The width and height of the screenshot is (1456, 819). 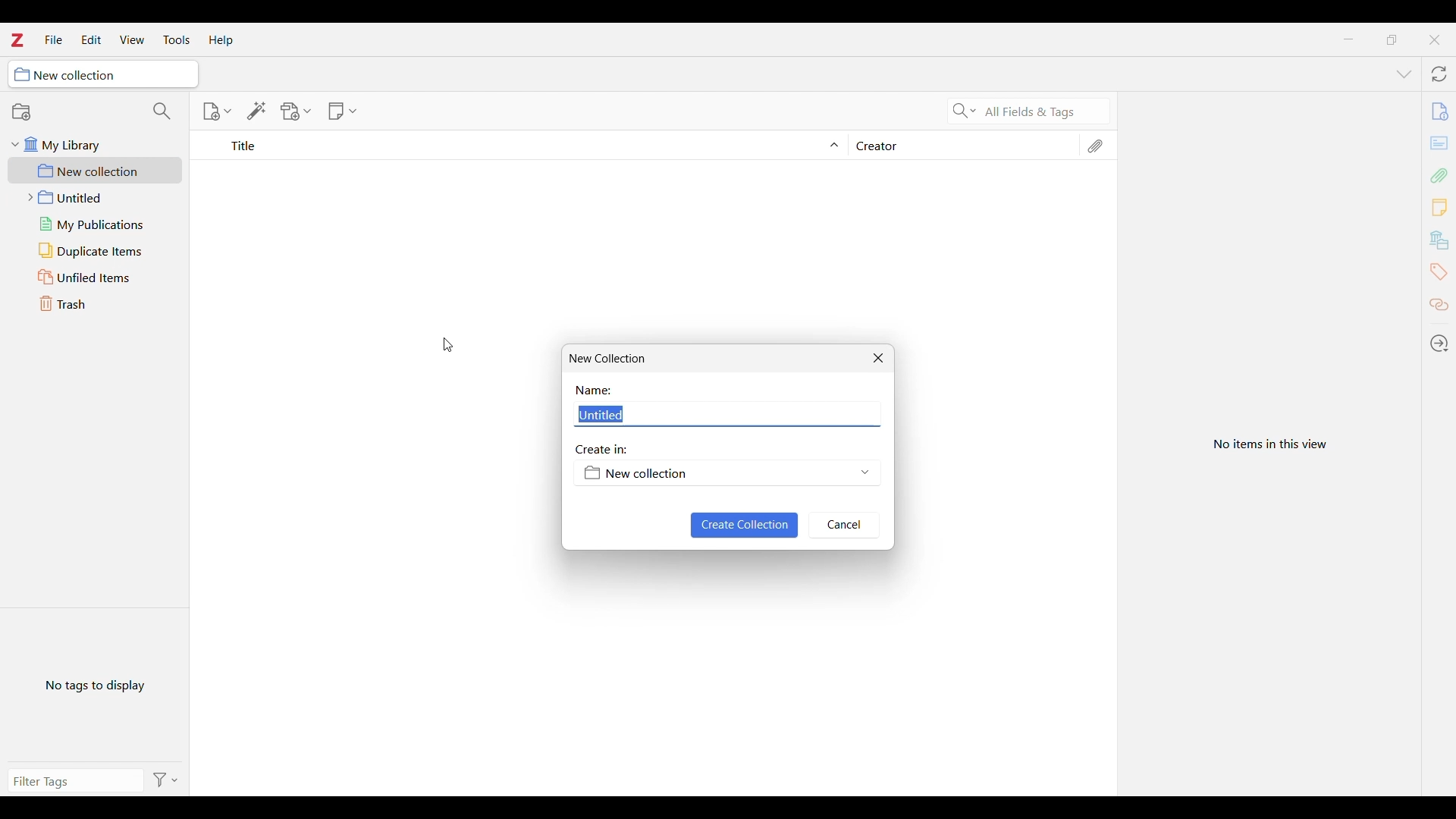 What do you see at coordinates (726, 473) in the screenshot?
I see `Folder options to save new collection` at bounding box center [726, 473].